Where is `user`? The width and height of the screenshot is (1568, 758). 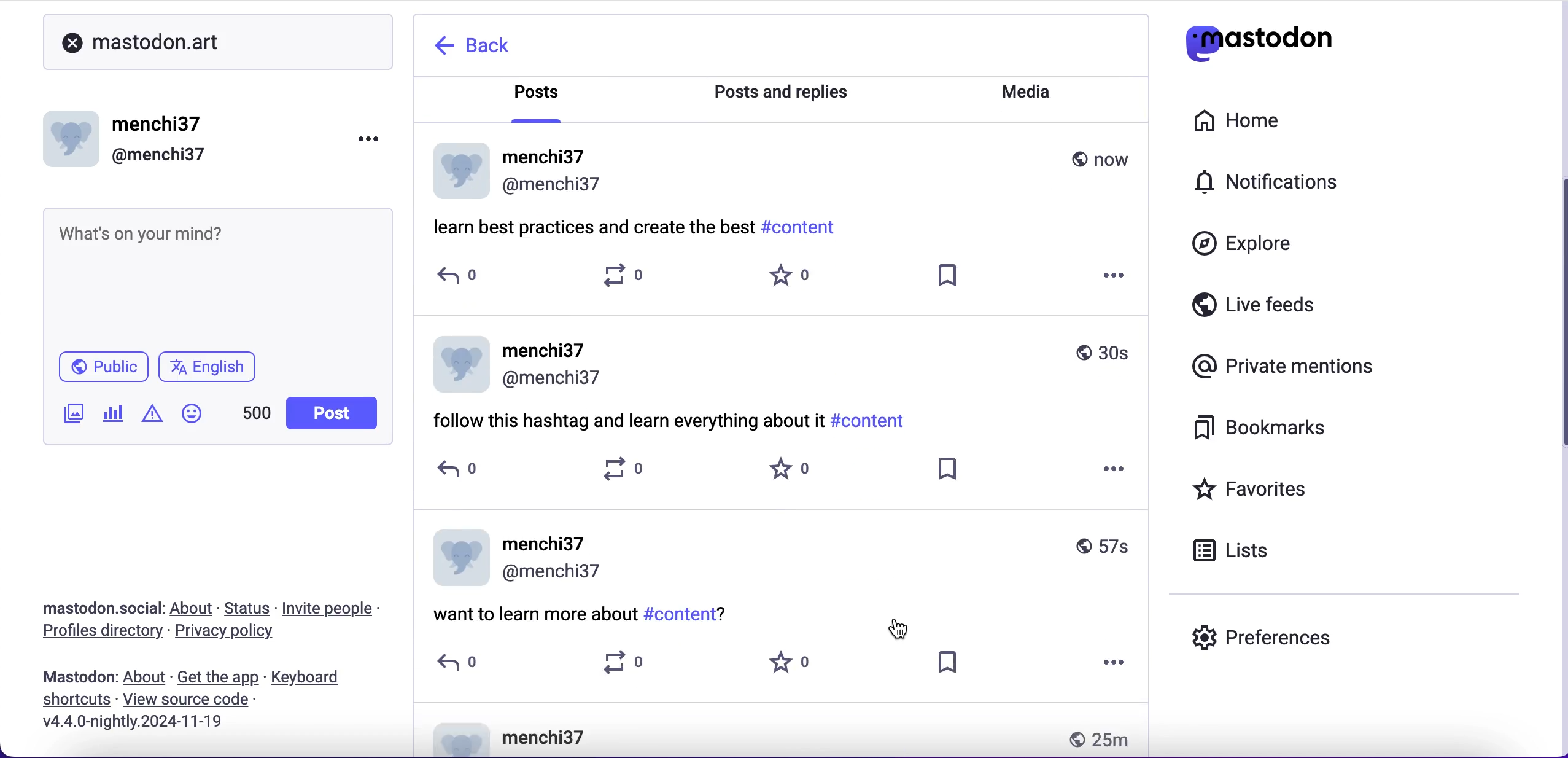 user is located at coordinates (556, 555).